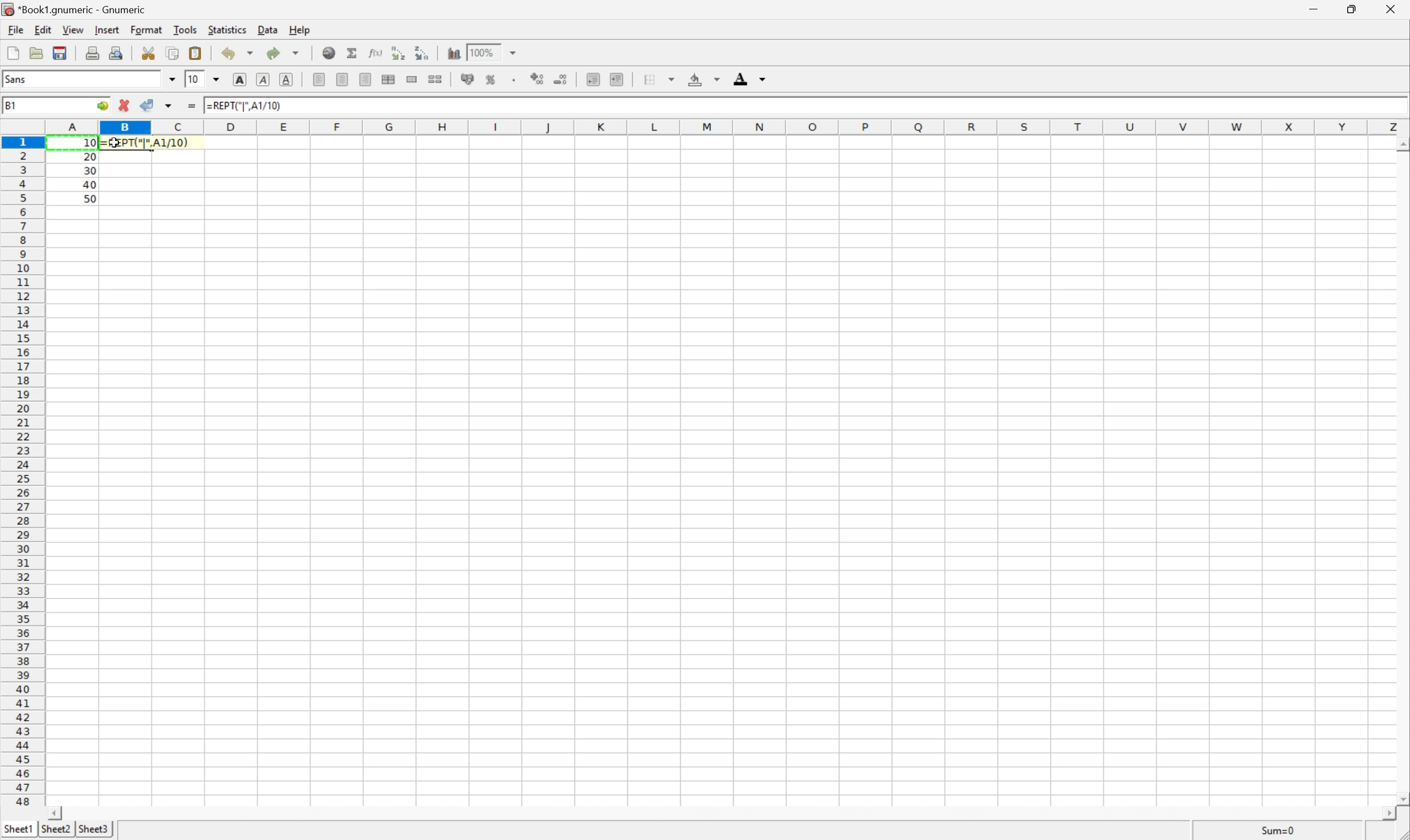  What do you see at coordinates (298, 29) in the screenshot?
I see `Help` at bounding box center [298, 29].